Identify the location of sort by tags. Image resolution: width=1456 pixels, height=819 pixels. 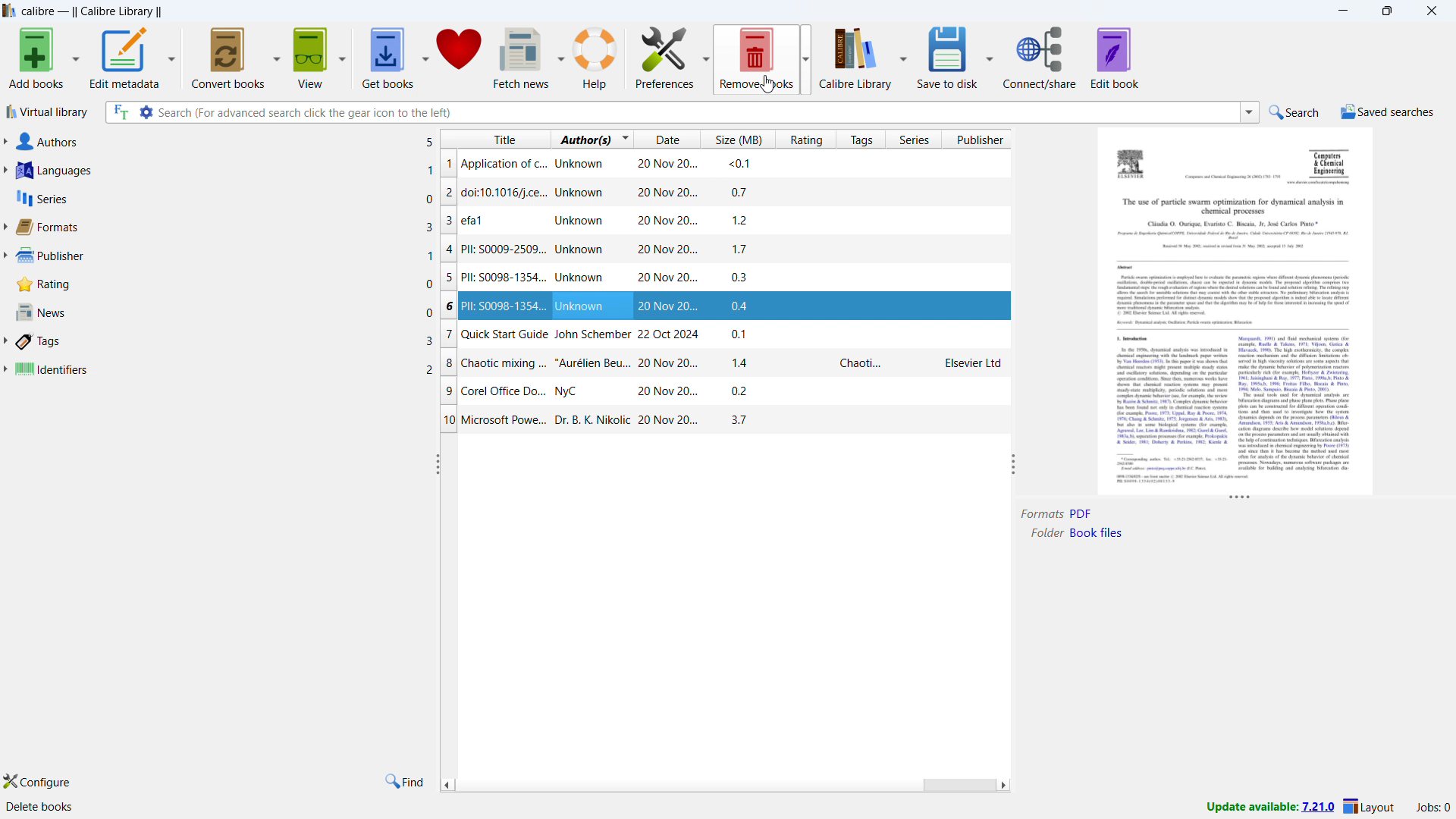
(859, 139).